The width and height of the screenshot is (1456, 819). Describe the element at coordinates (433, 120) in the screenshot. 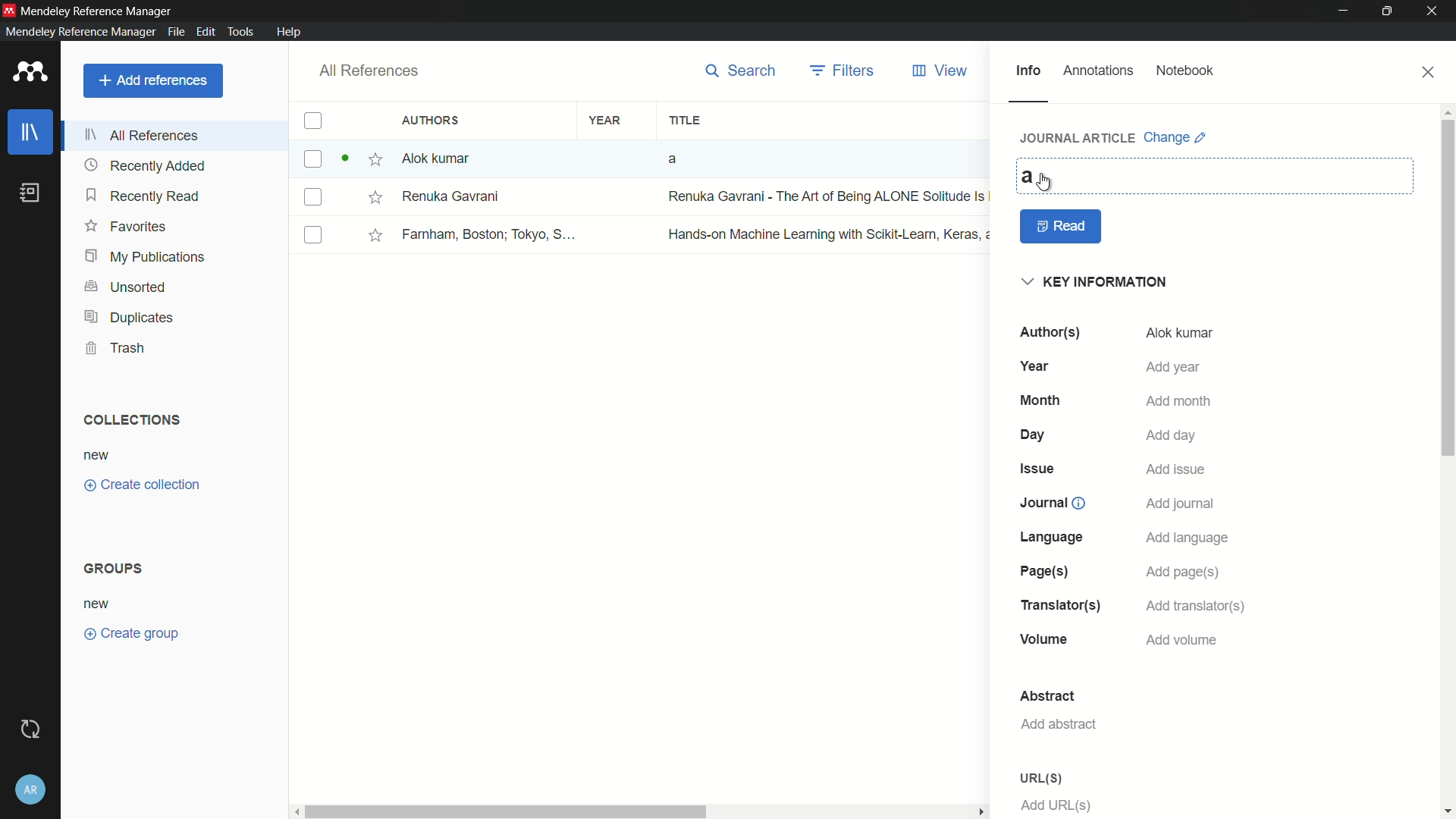

I see `authors` at that location.